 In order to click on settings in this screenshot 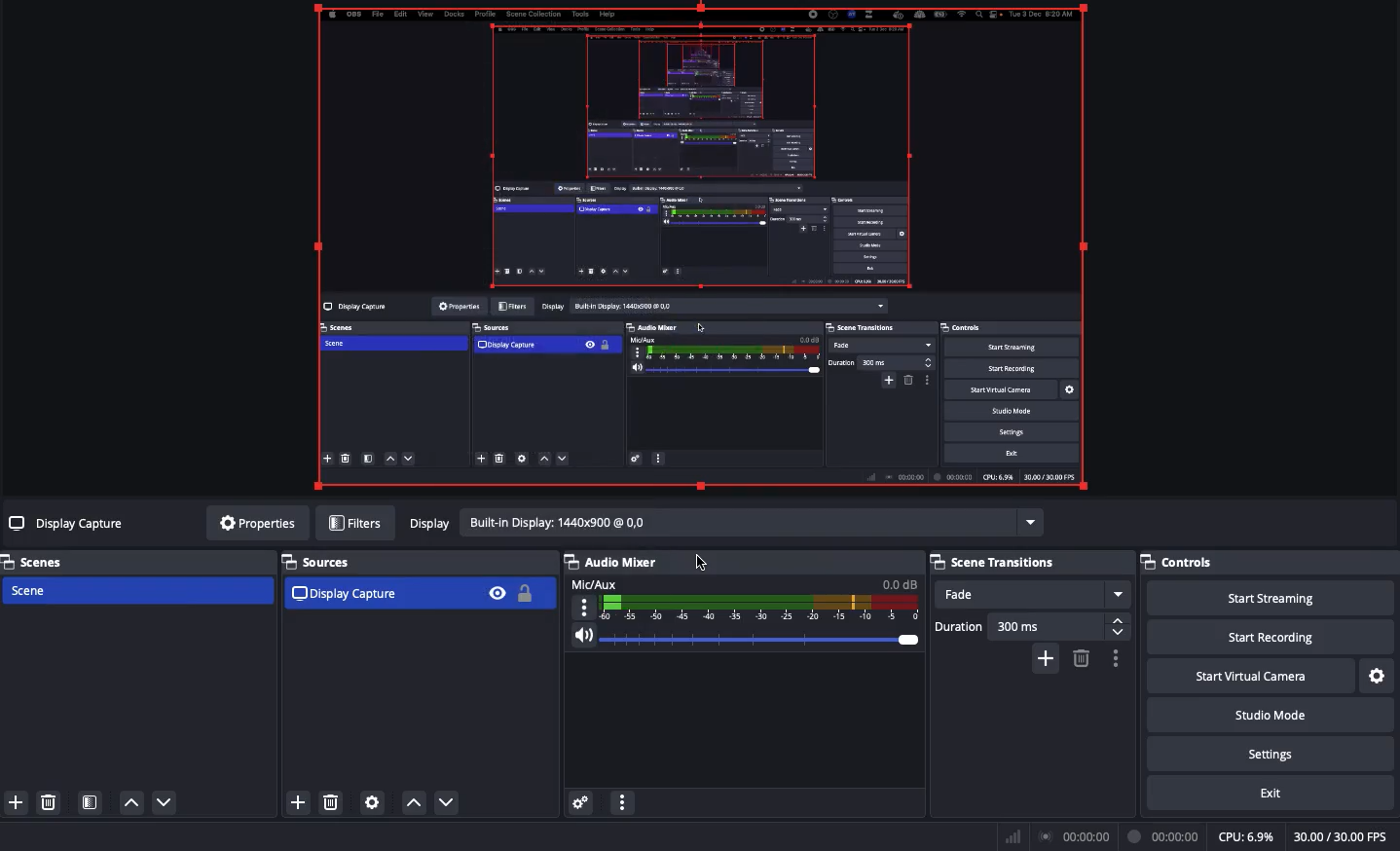, I will do `click(373, 801)`.